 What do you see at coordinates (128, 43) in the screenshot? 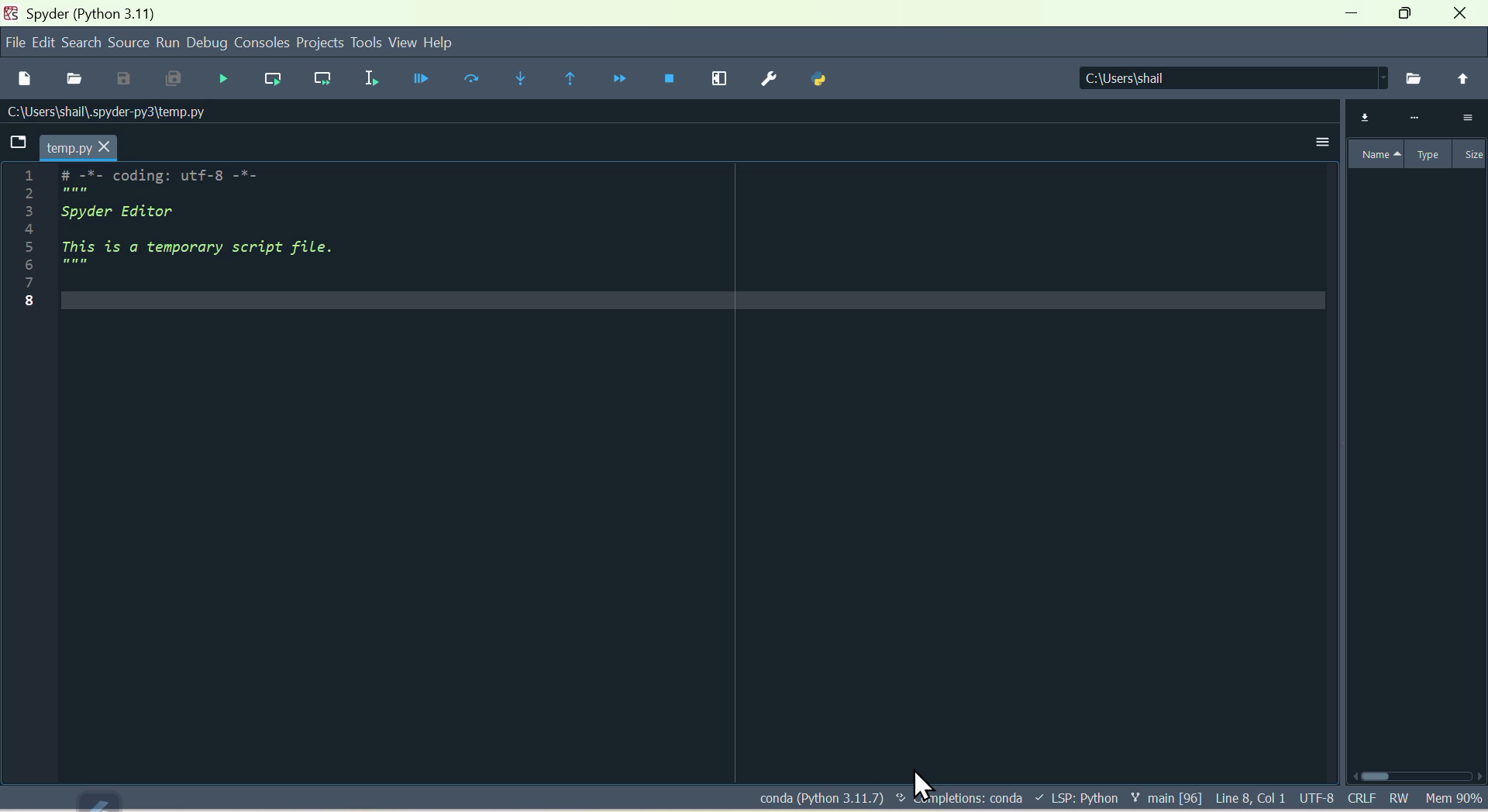
I see `Source` at bounding box center [128, 43].